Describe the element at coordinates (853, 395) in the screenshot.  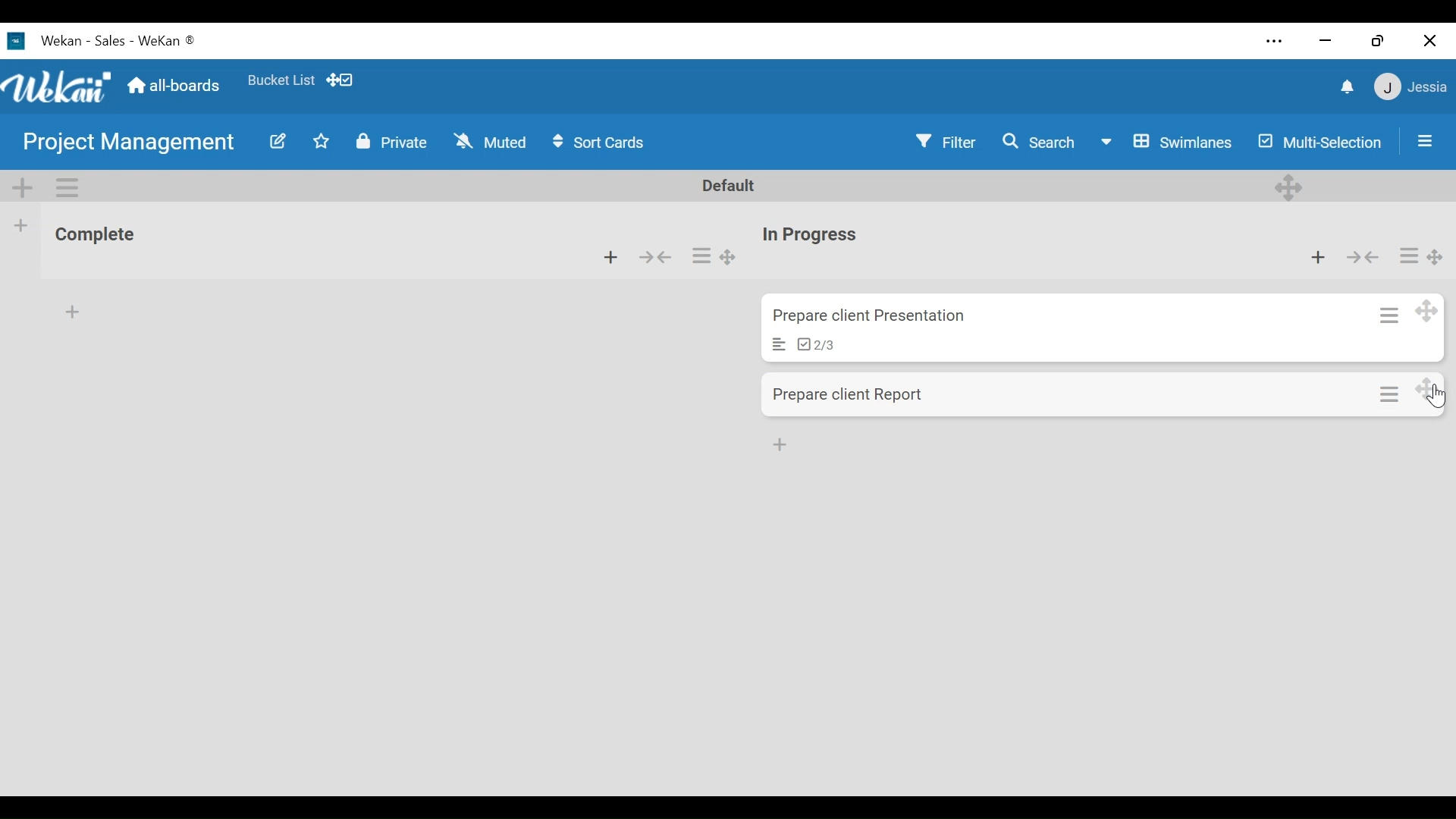
I see `Prepare client report` at that location.